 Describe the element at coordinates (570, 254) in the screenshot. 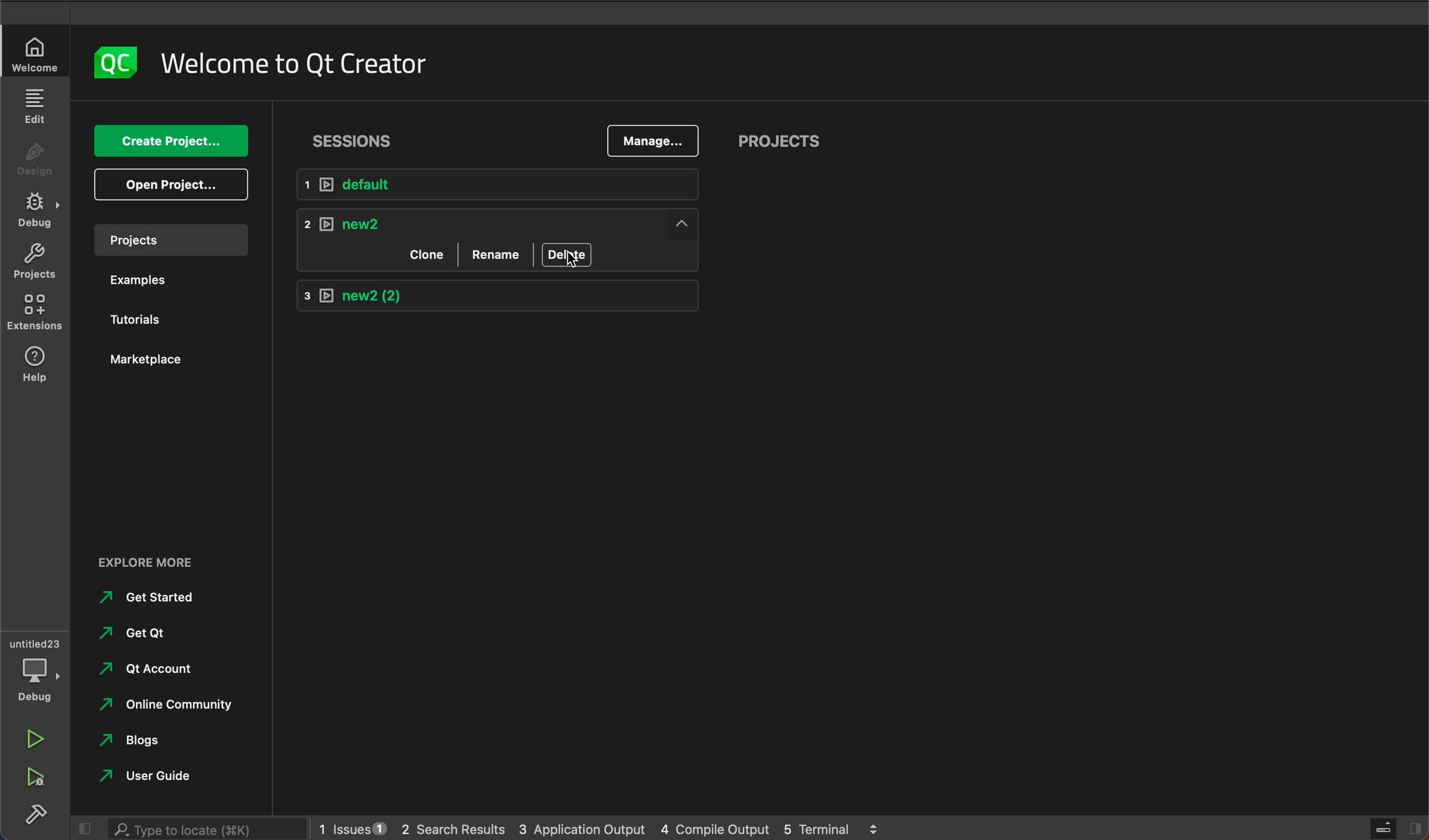

I see `delete` at that location.